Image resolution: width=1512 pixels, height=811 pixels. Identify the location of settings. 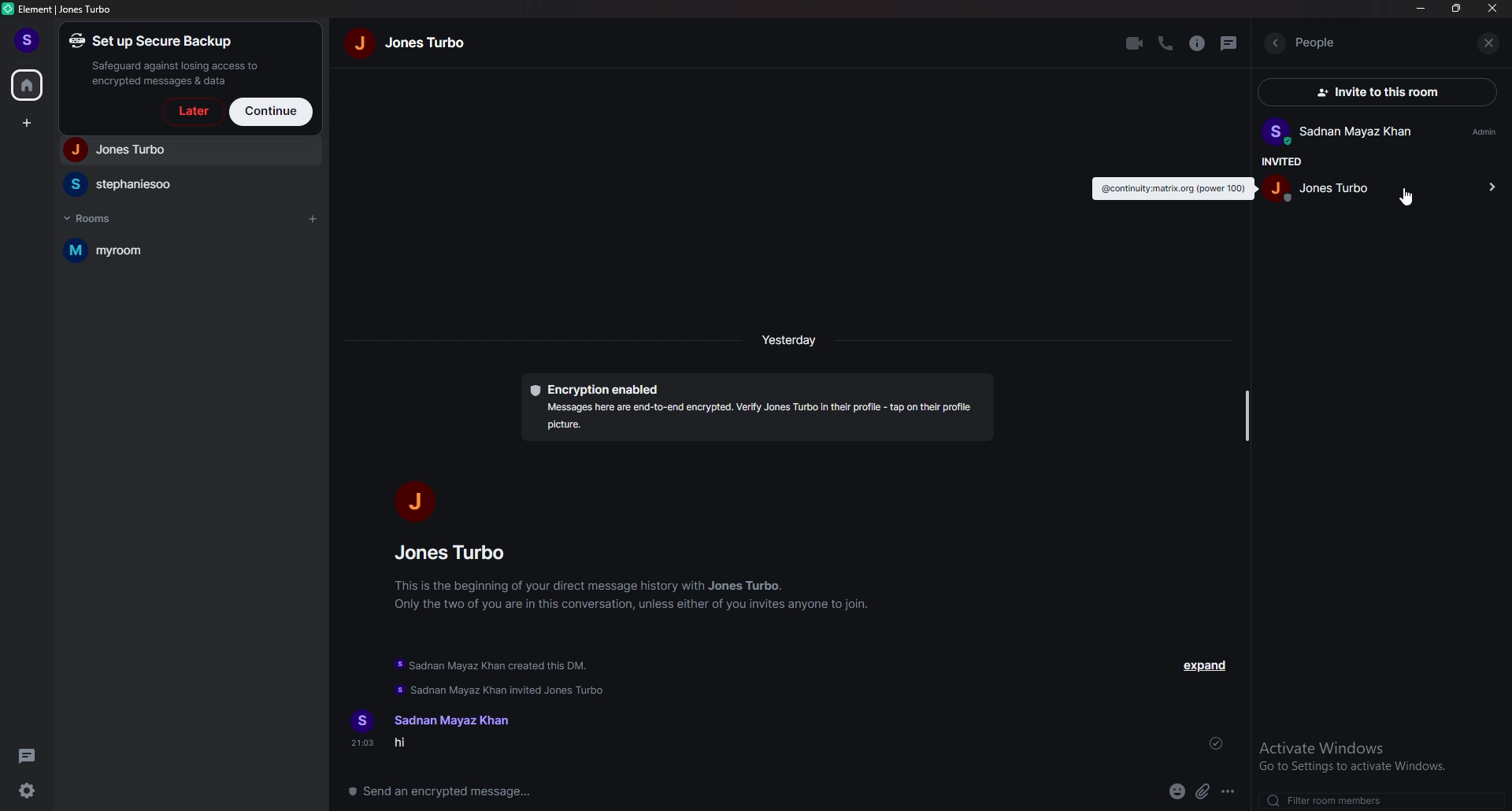
(29, 791).